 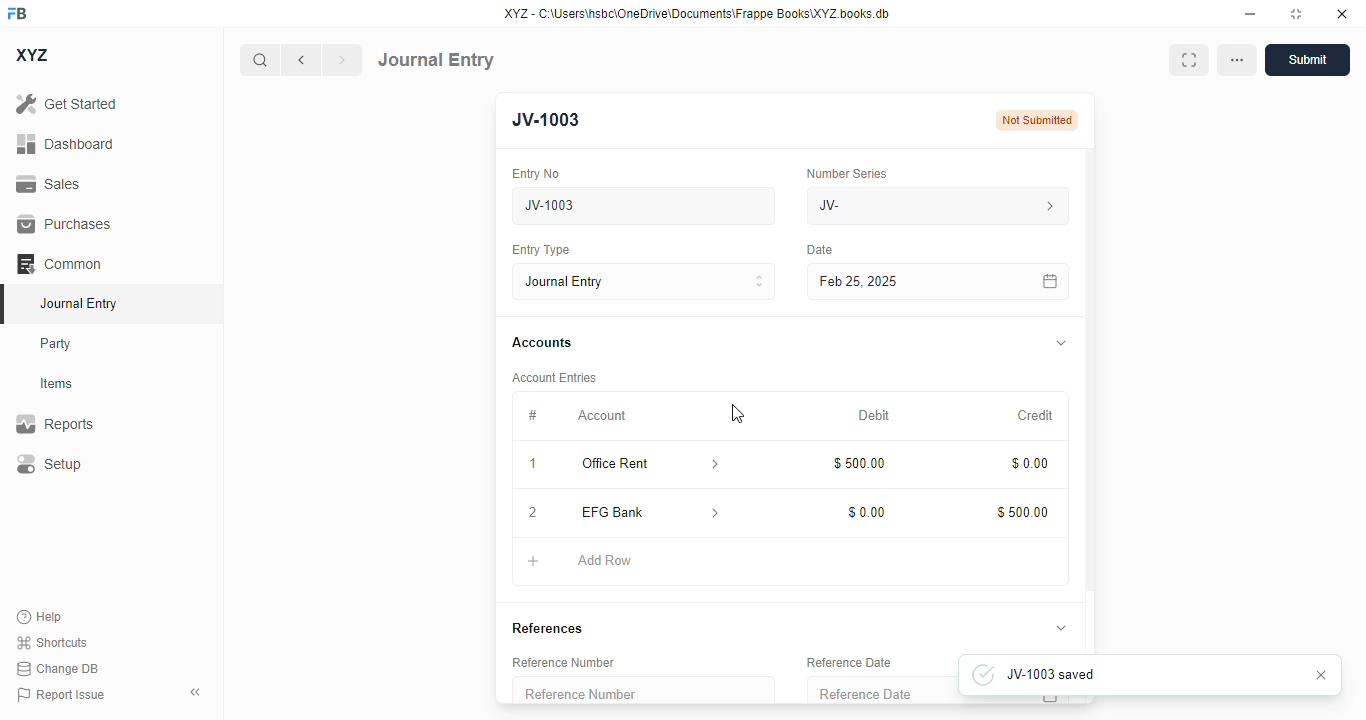 I want to click on reference date, so click(x=881, y=691).